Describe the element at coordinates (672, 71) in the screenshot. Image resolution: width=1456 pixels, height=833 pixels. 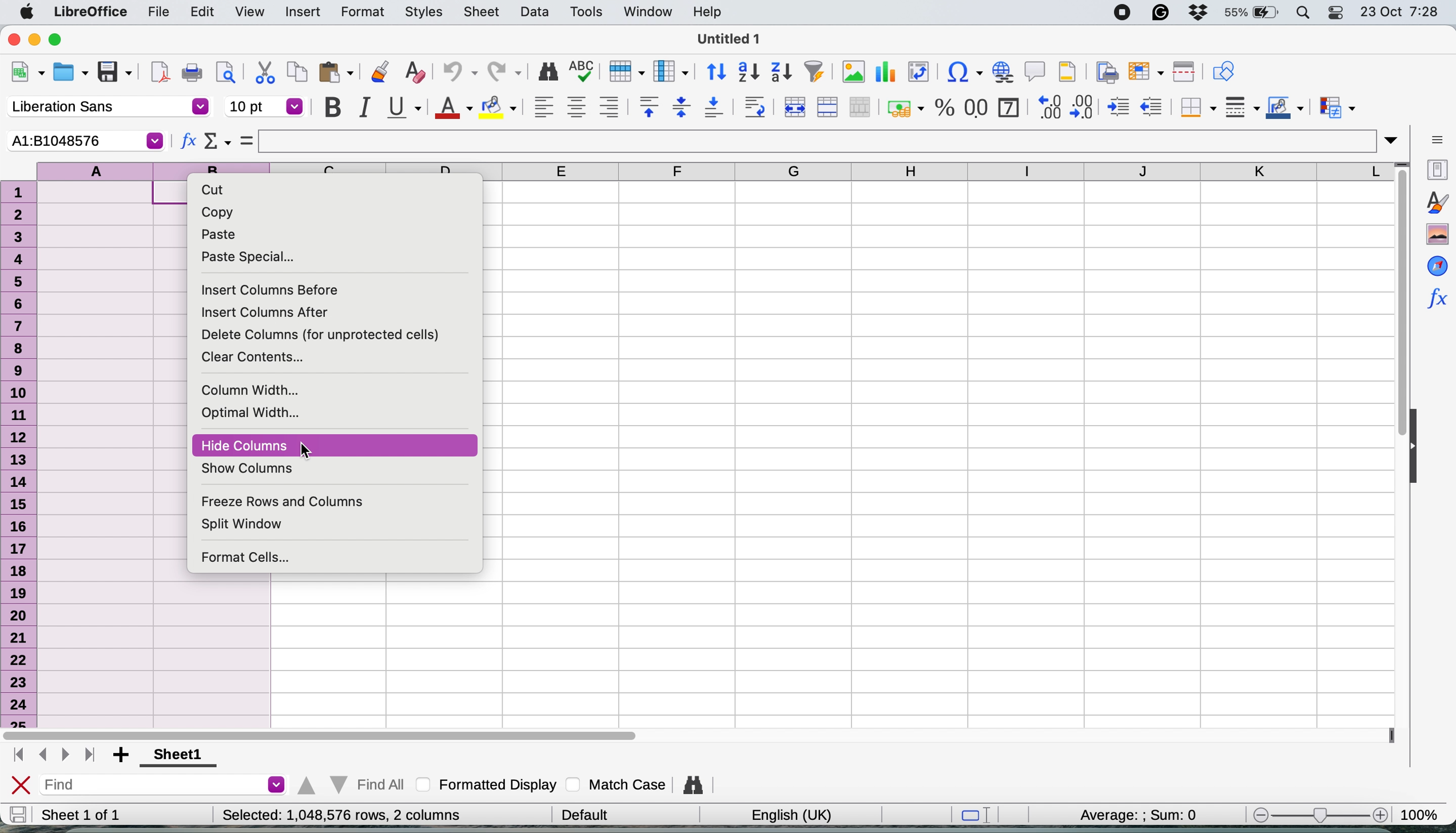
I see `column` at that location.